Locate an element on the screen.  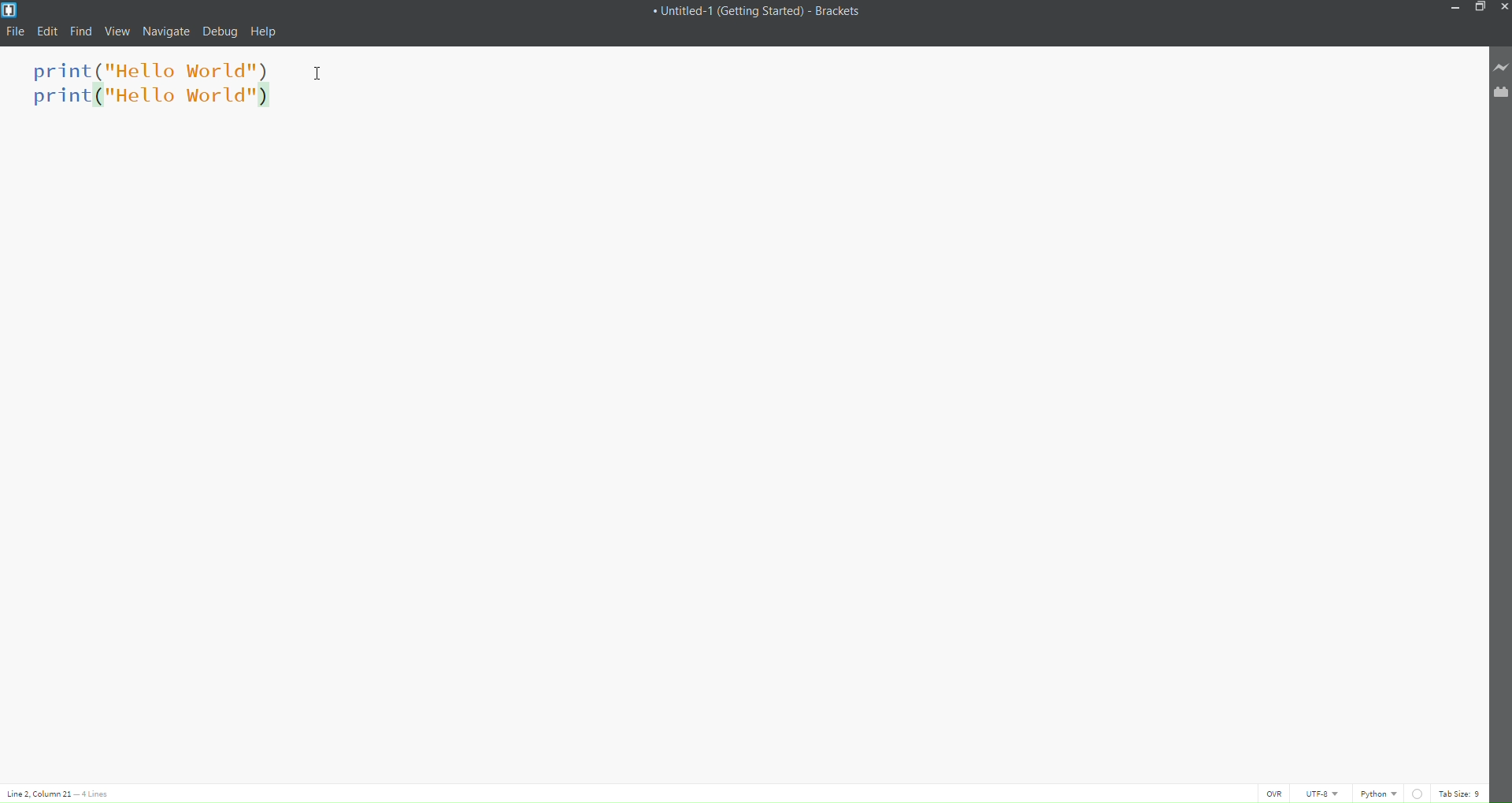
navigate is located at coordinates (164, 31).